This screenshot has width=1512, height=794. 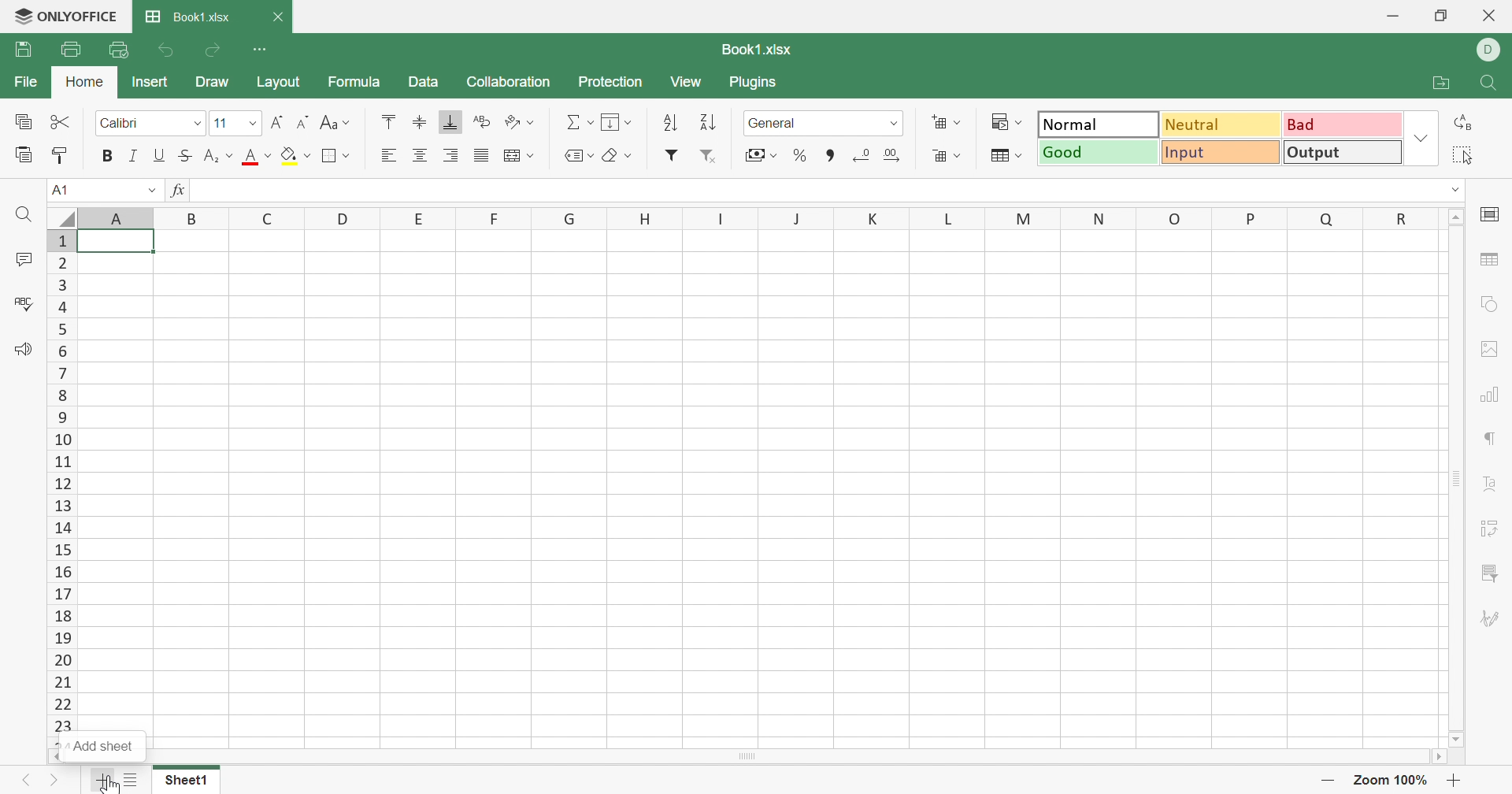 What do you see at coordinates (951, 219) in the screenshot?
I see `L` at bounding box center [951, 219].